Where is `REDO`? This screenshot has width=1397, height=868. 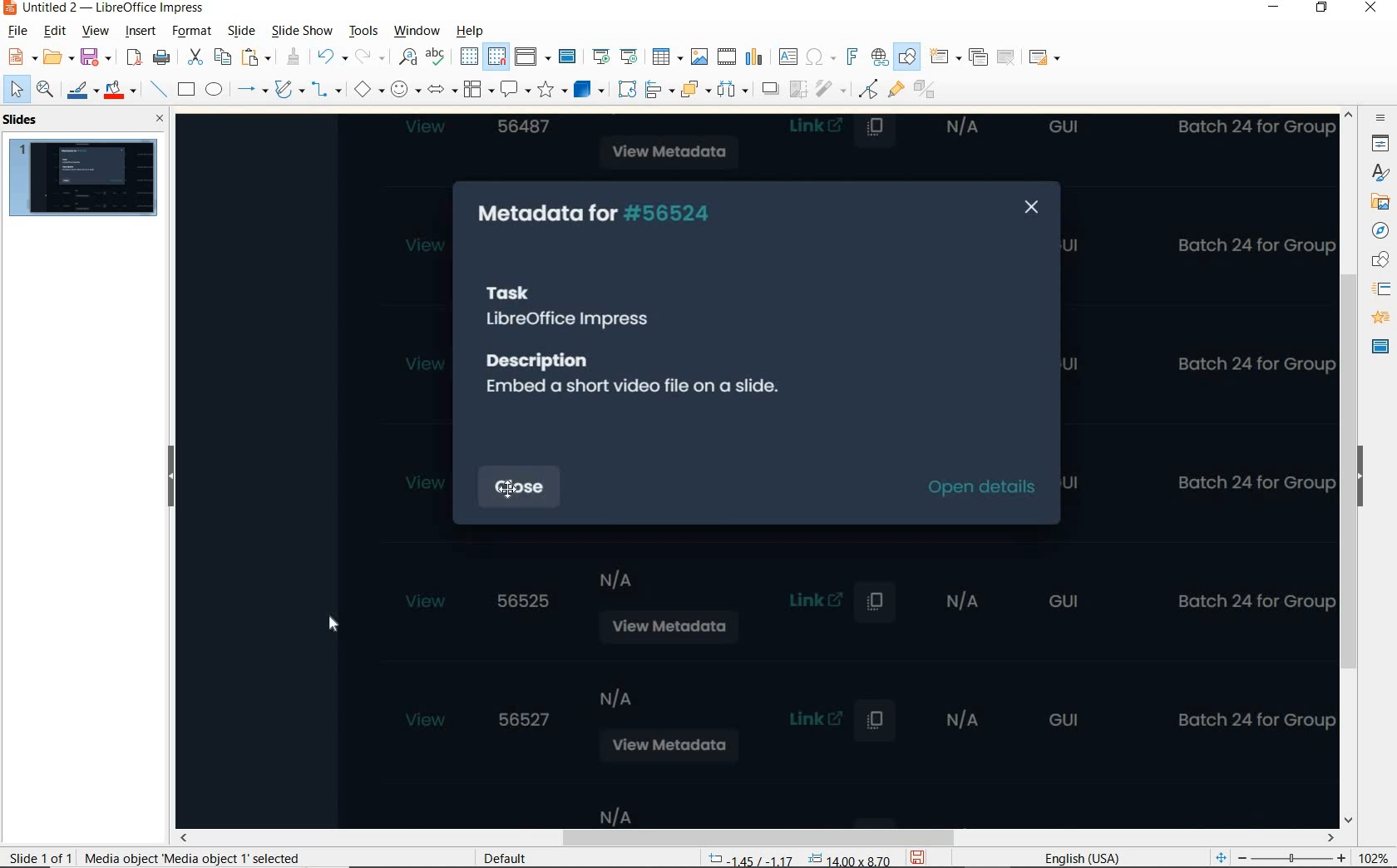
REDO is located at coordinates (371, 57).